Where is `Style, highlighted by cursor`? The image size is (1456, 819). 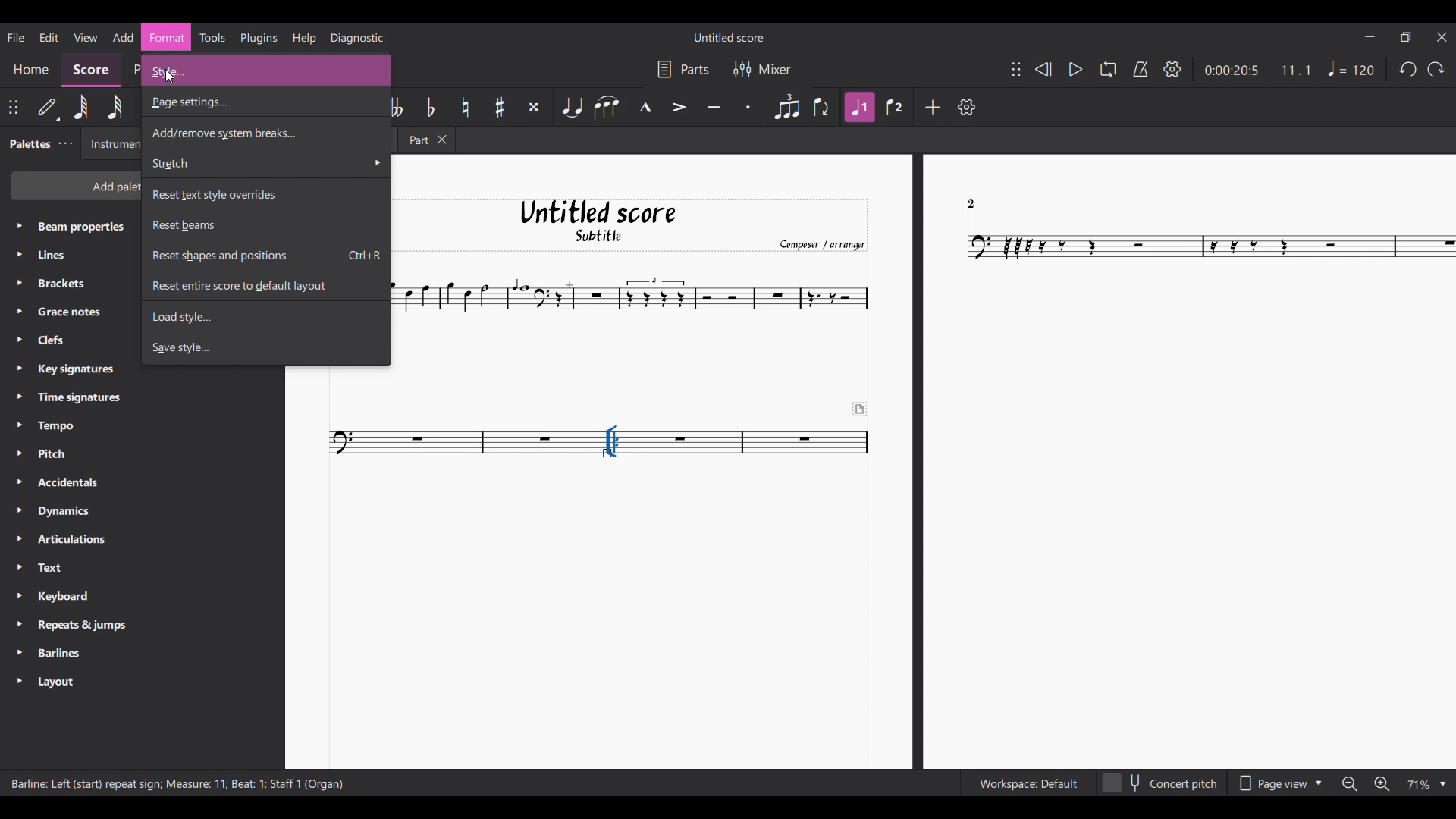 Style, highlighted by cursor is located at coordinates (266, 70).